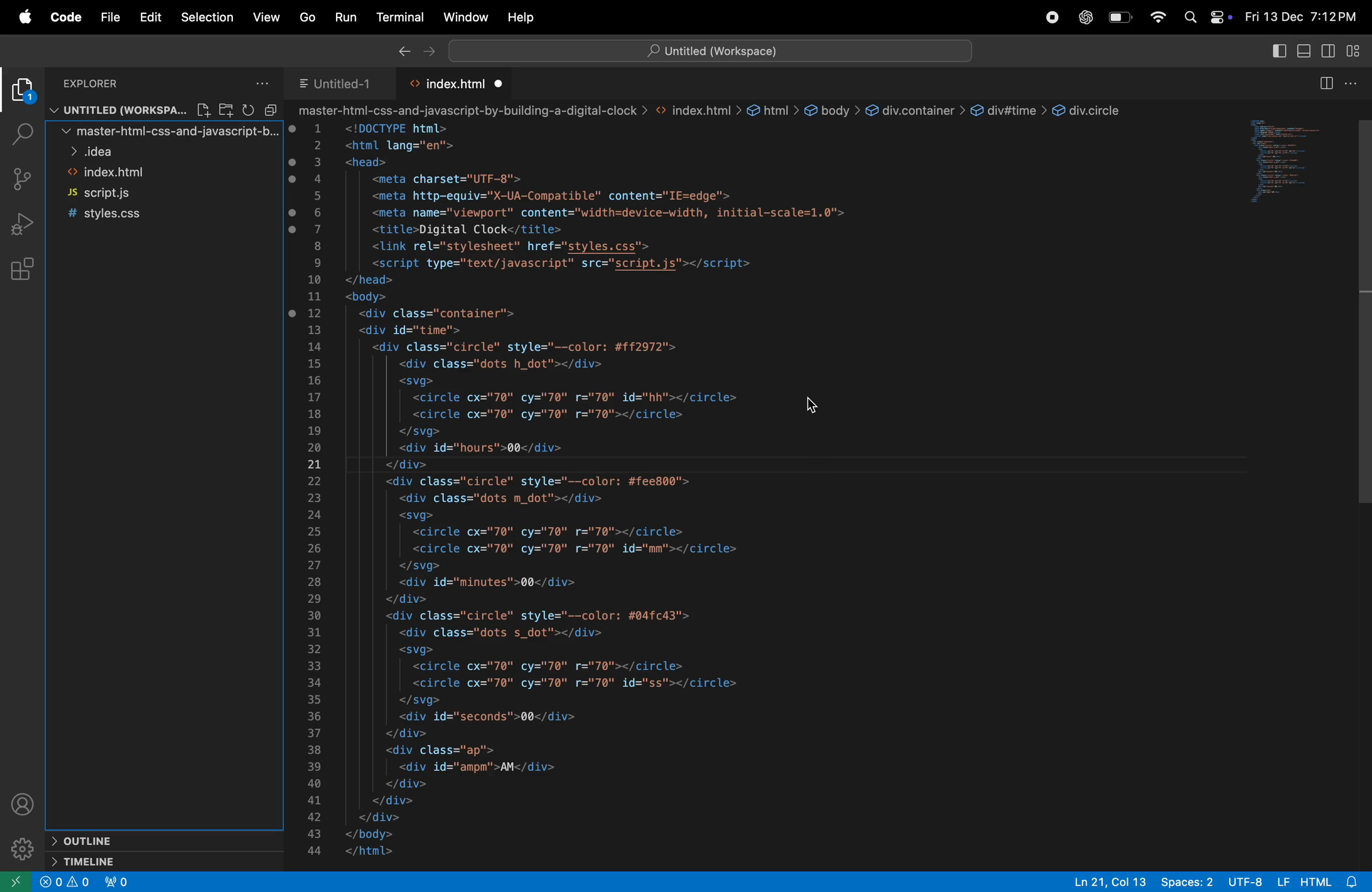 This screenshot has height=892, width=1372. What do you see at coordinates (67, 884) in the screenshot?
I see `create alert` at bounding box center [67, 884].